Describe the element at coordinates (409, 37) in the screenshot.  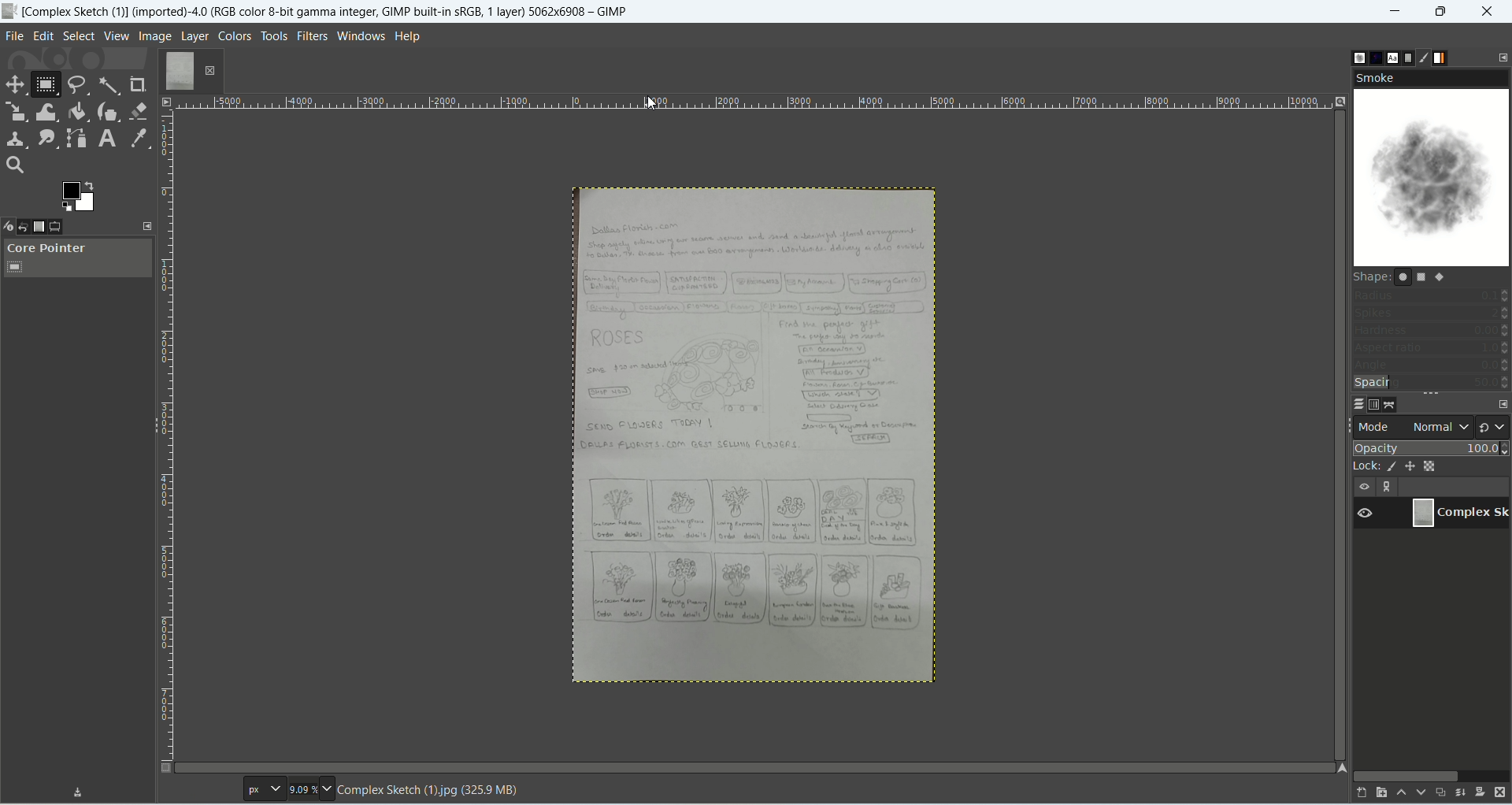
I see `help` at that location.